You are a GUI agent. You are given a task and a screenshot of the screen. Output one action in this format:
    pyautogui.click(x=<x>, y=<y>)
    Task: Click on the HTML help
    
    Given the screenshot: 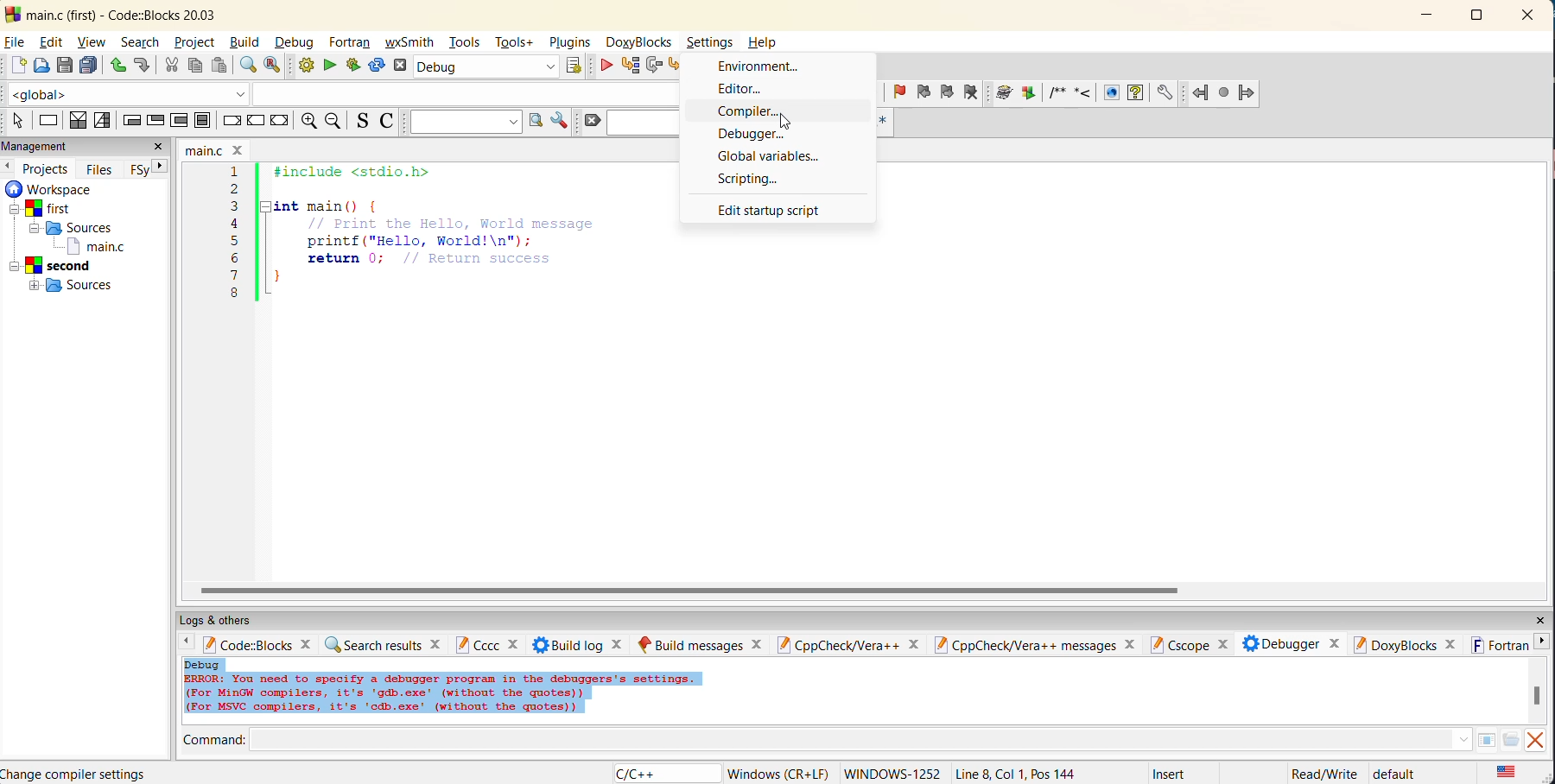 What is the action you would take?
    pyautogui.click(x=1135, y=92)
    